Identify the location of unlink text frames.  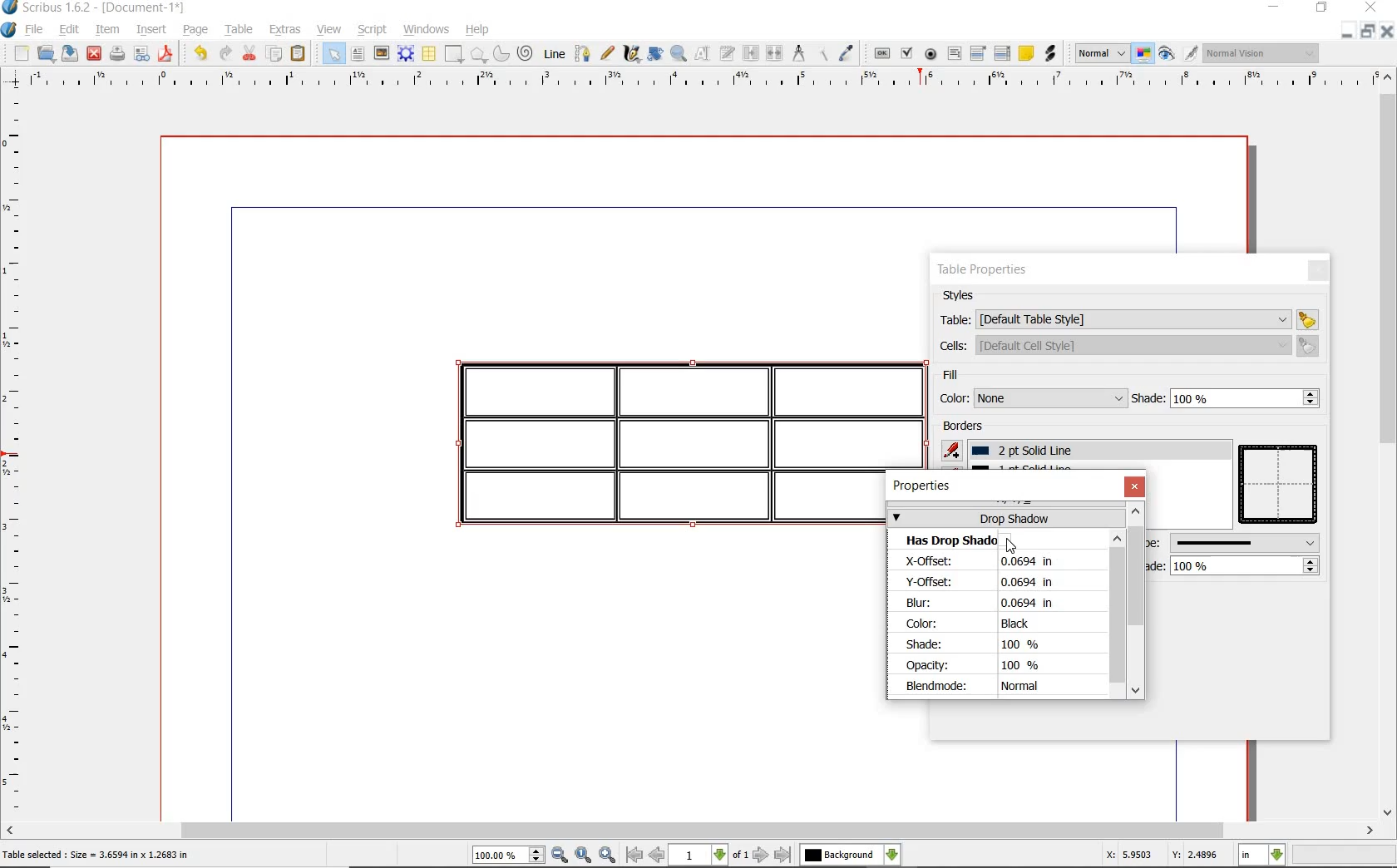
(775, 53).